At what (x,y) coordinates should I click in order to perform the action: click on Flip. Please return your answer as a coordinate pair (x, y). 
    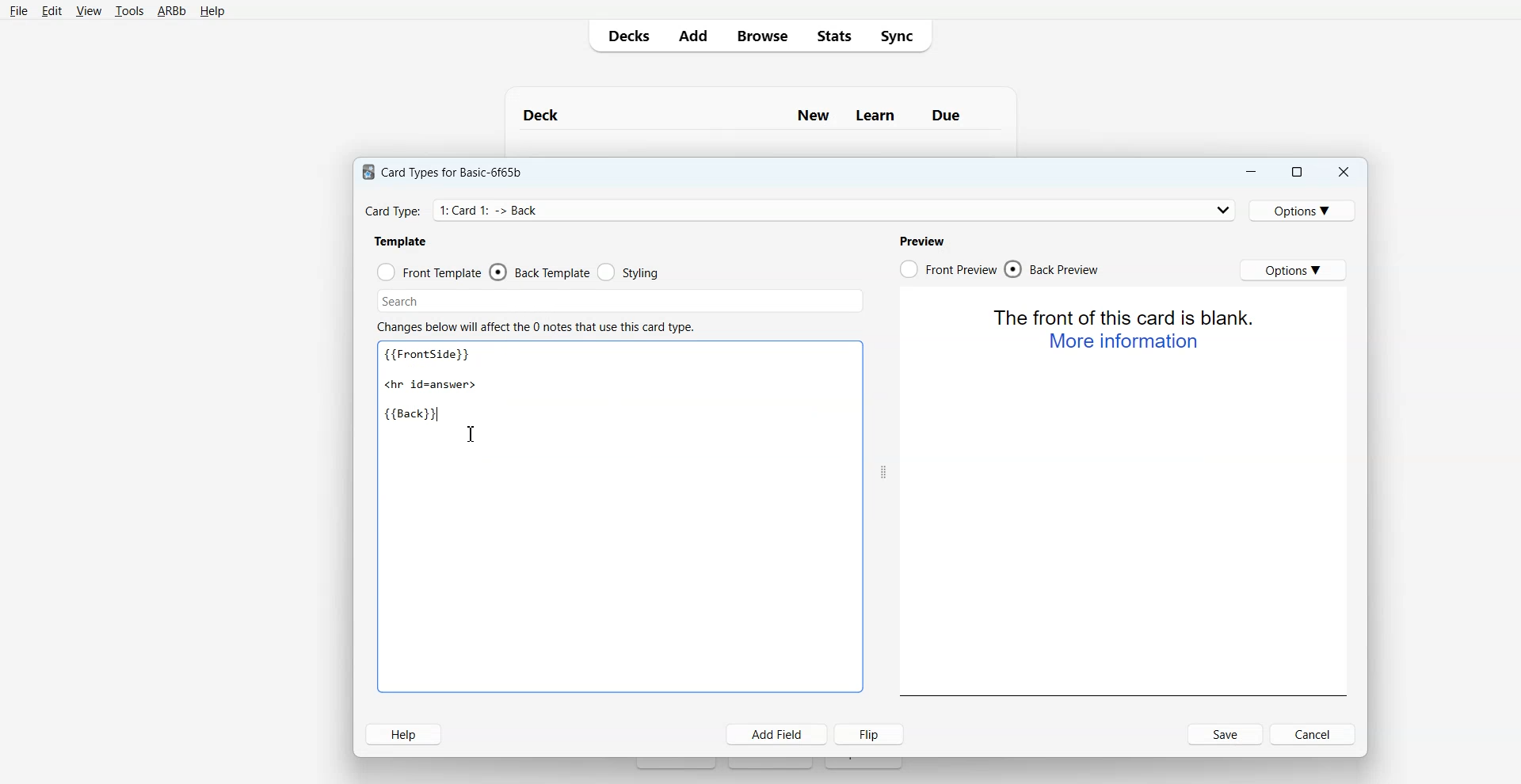
    Looking at the image, I should click on (871, 734).